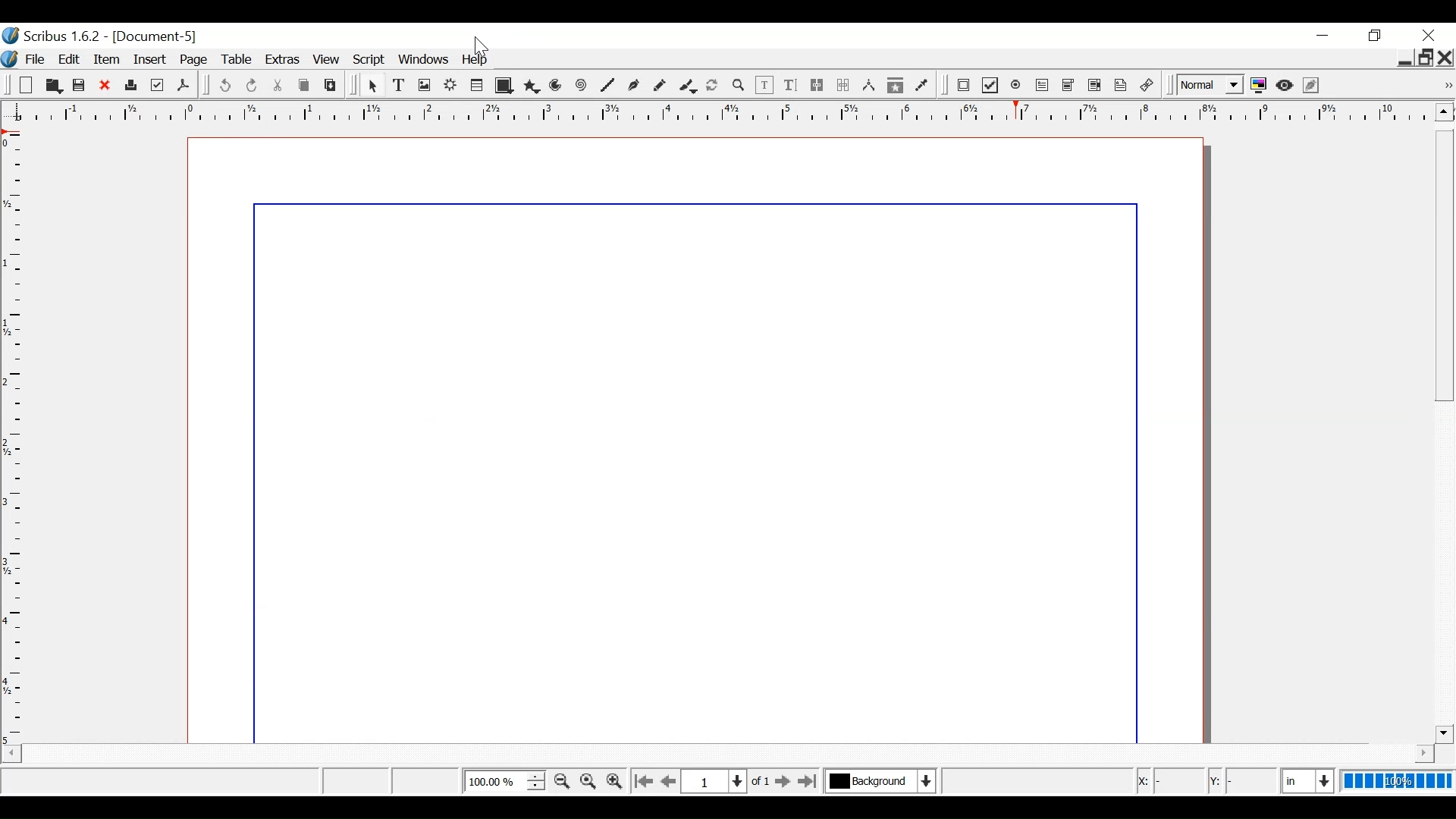 The image size is (1456, 819). I want to click on Zoom in, so click(613, 780).